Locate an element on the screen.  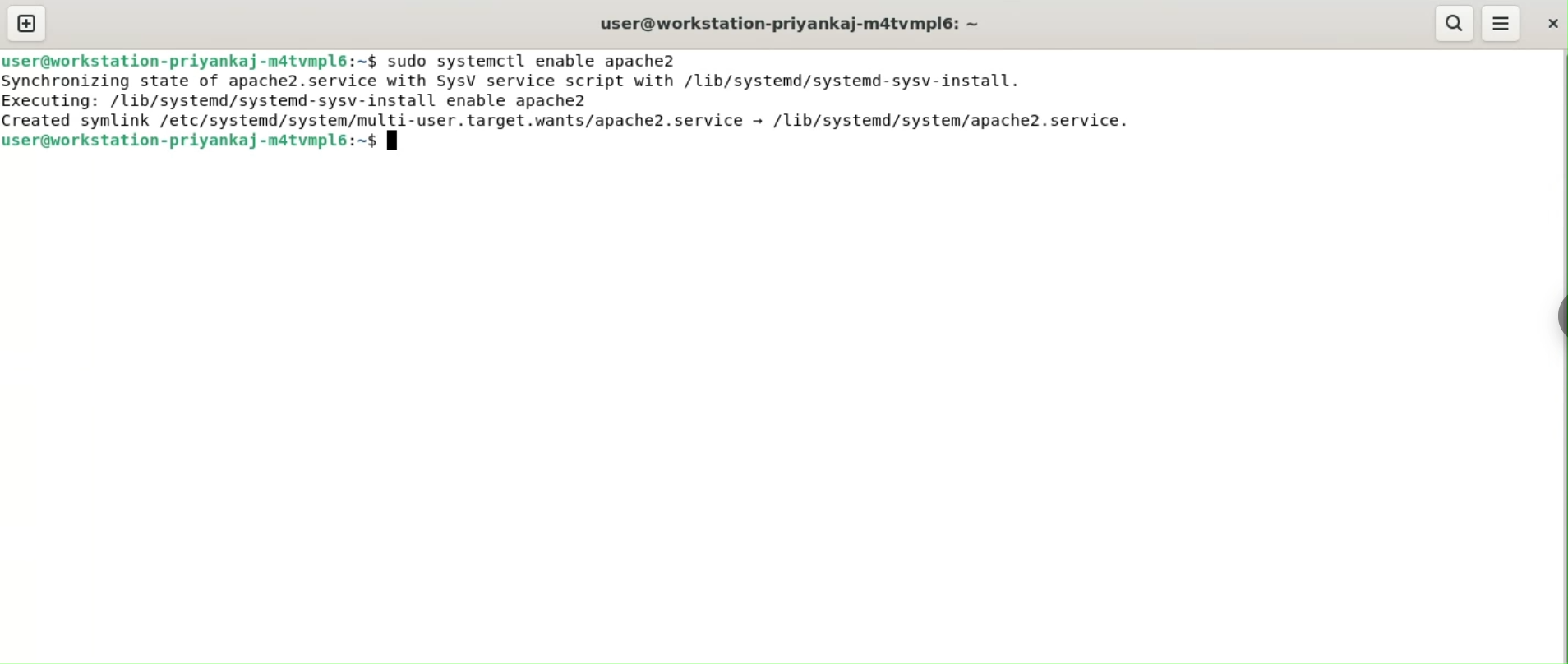
new tab is located at coordinates (26, 23).